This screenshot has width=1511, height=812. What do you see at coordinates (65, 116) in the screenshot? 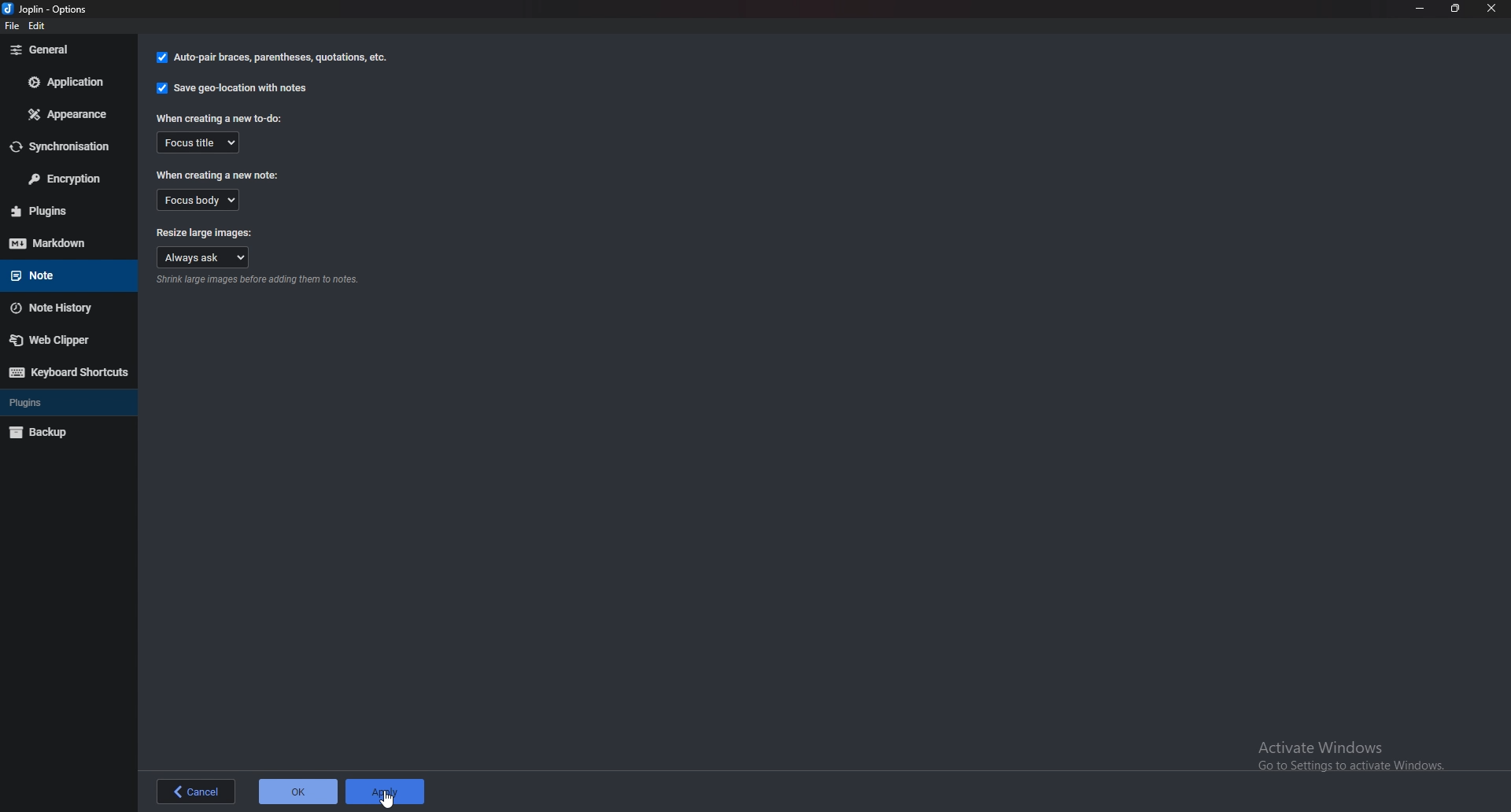
I see `Appearance` at bounding box center [65, 116].